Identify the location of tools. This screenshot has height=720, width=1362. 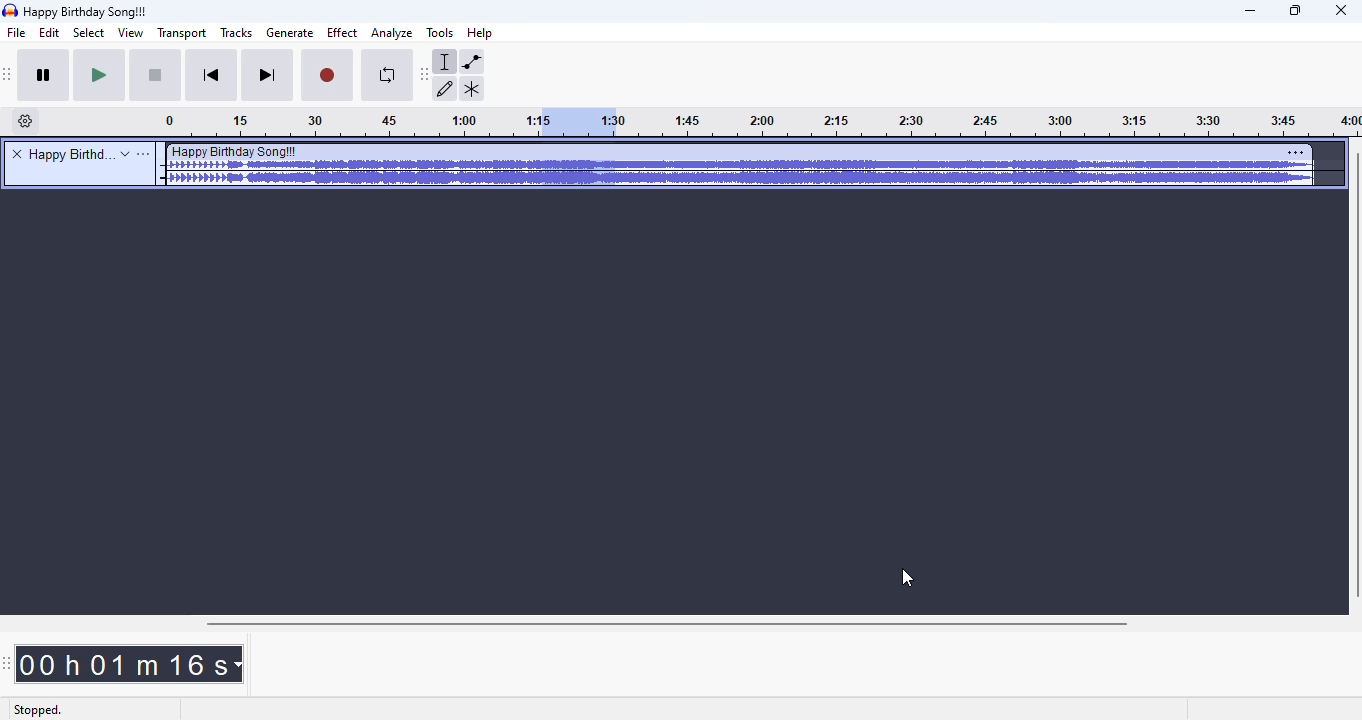
(439, 33).